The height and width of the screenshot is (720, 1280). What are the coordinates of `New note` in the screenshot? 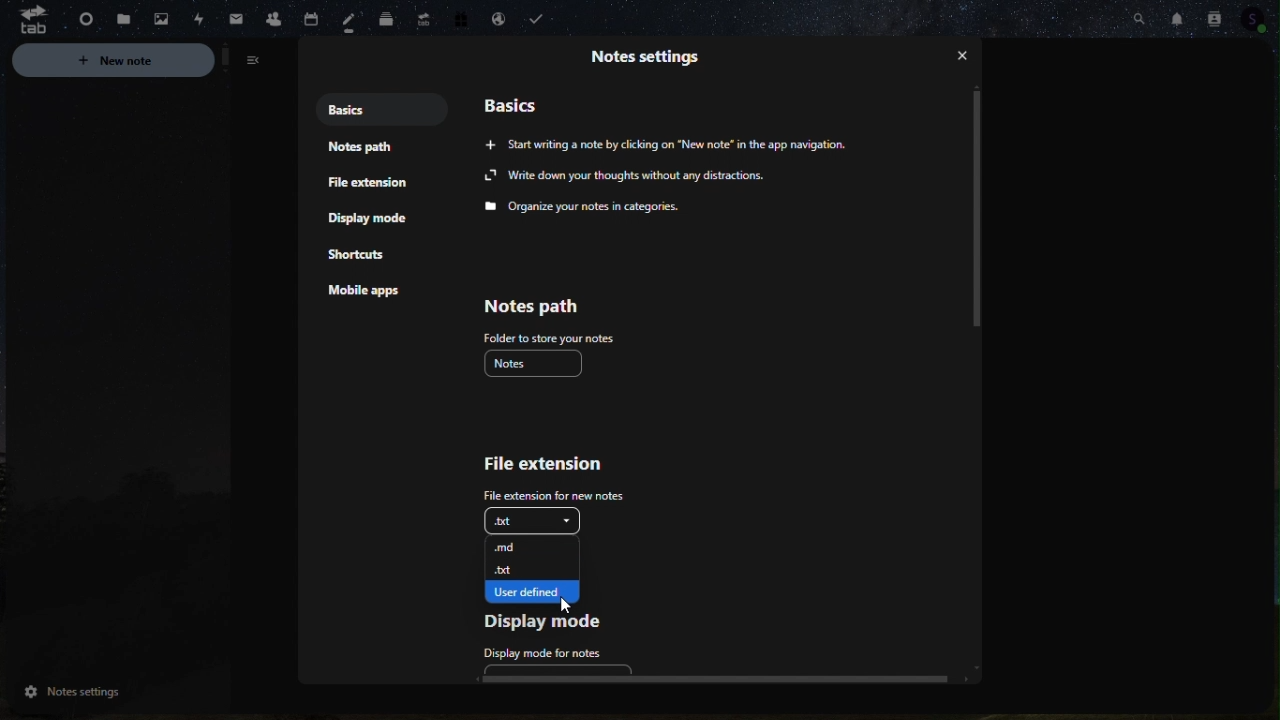 It's located at (144, 61).